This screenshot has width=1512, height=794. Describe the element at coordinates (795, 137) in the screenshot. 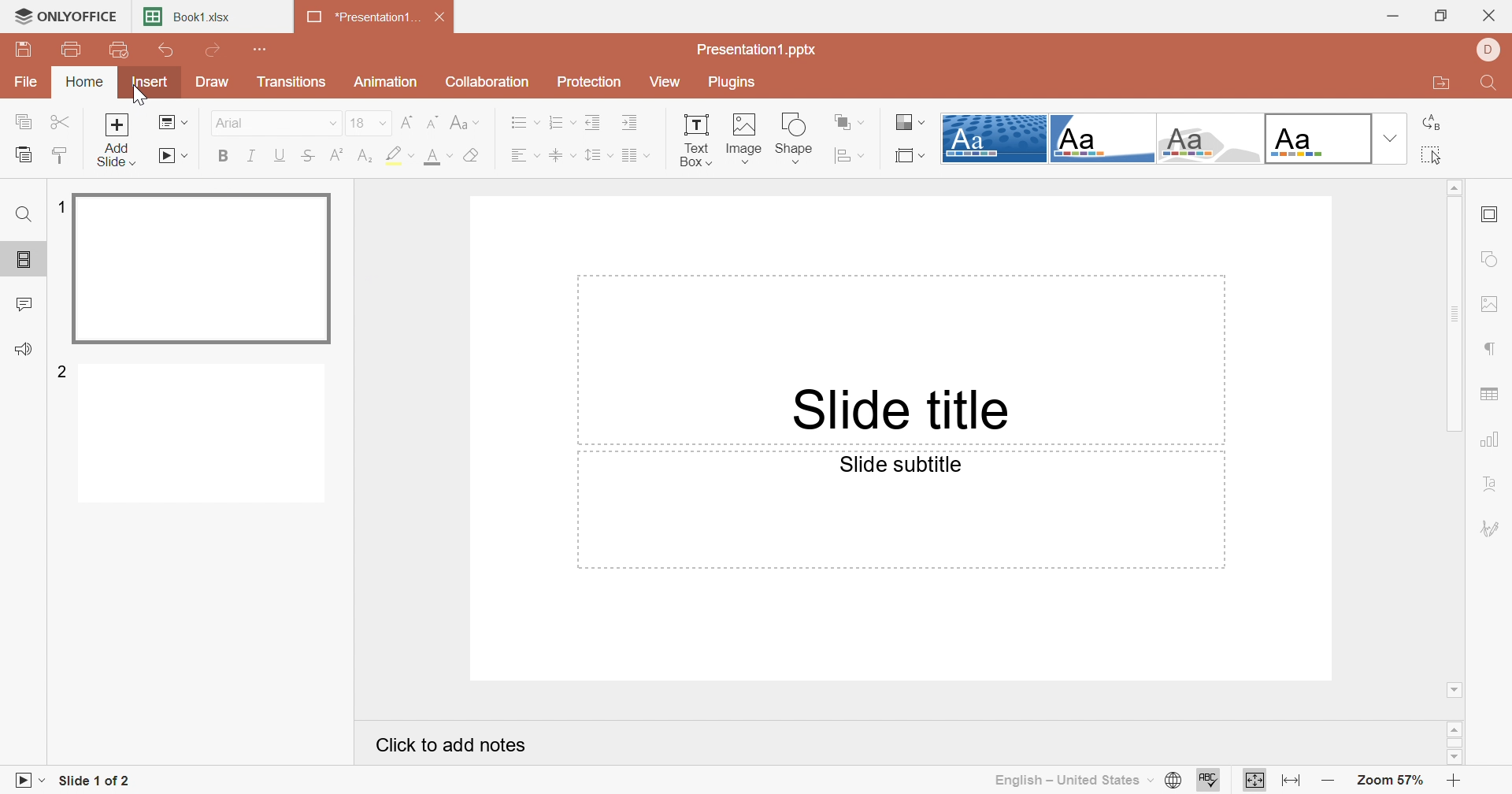

I see `Shape` at that location.